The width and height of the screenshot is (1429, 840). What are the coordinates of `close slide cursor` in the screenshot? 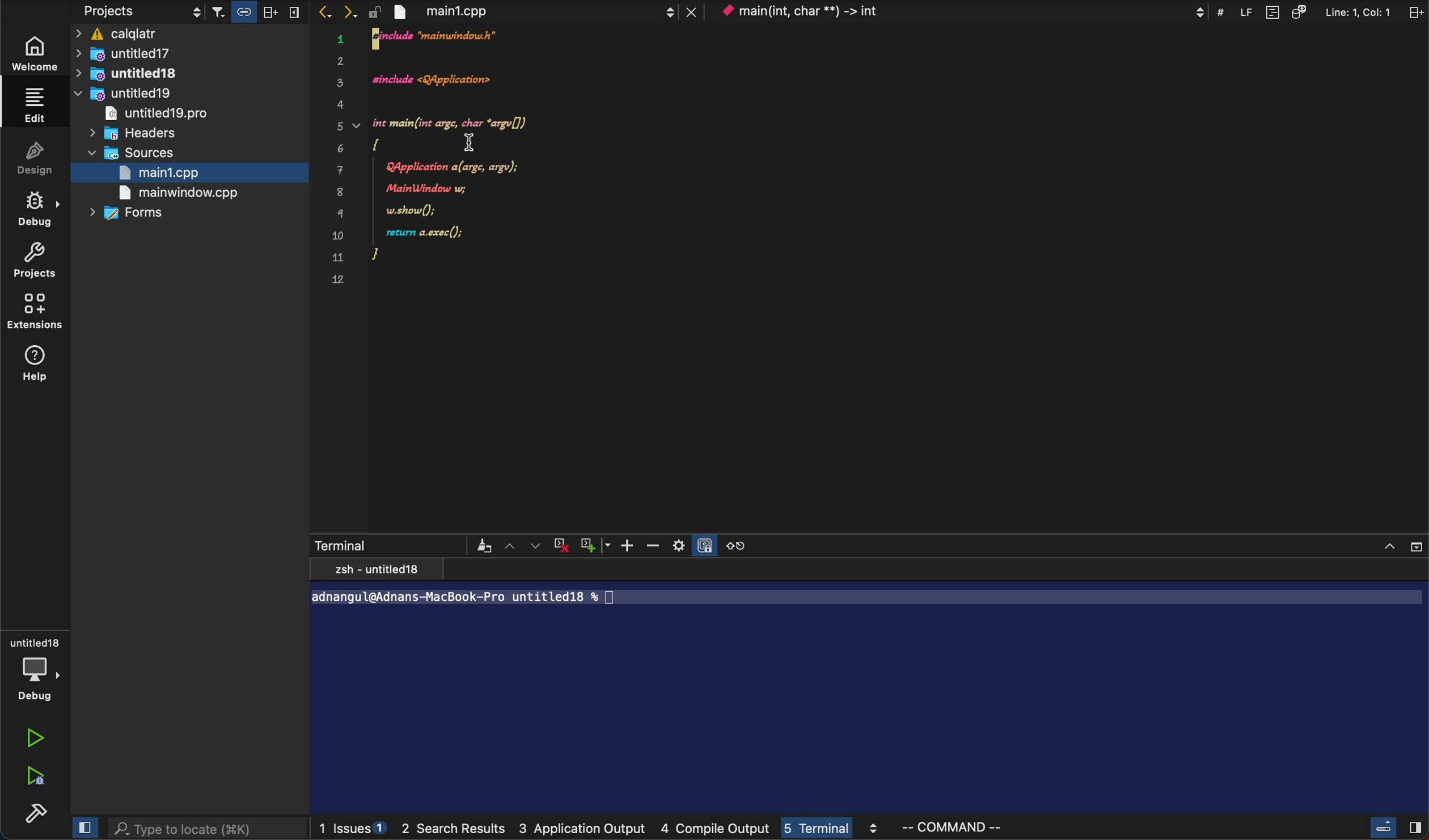 It's located at (1392, 828).